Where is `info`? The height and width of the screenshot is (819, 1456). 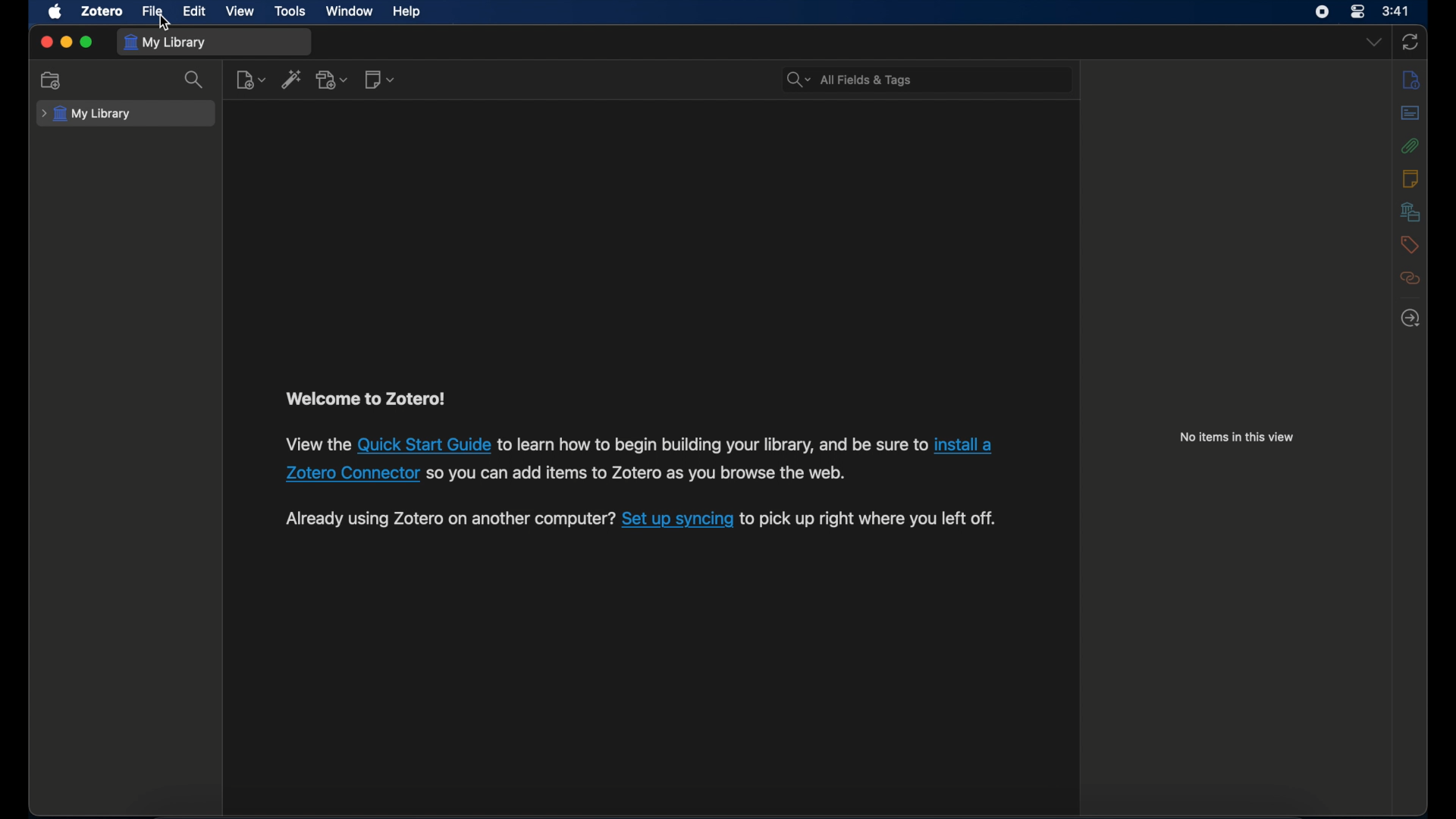
info is located at coordinates (1411, 79).